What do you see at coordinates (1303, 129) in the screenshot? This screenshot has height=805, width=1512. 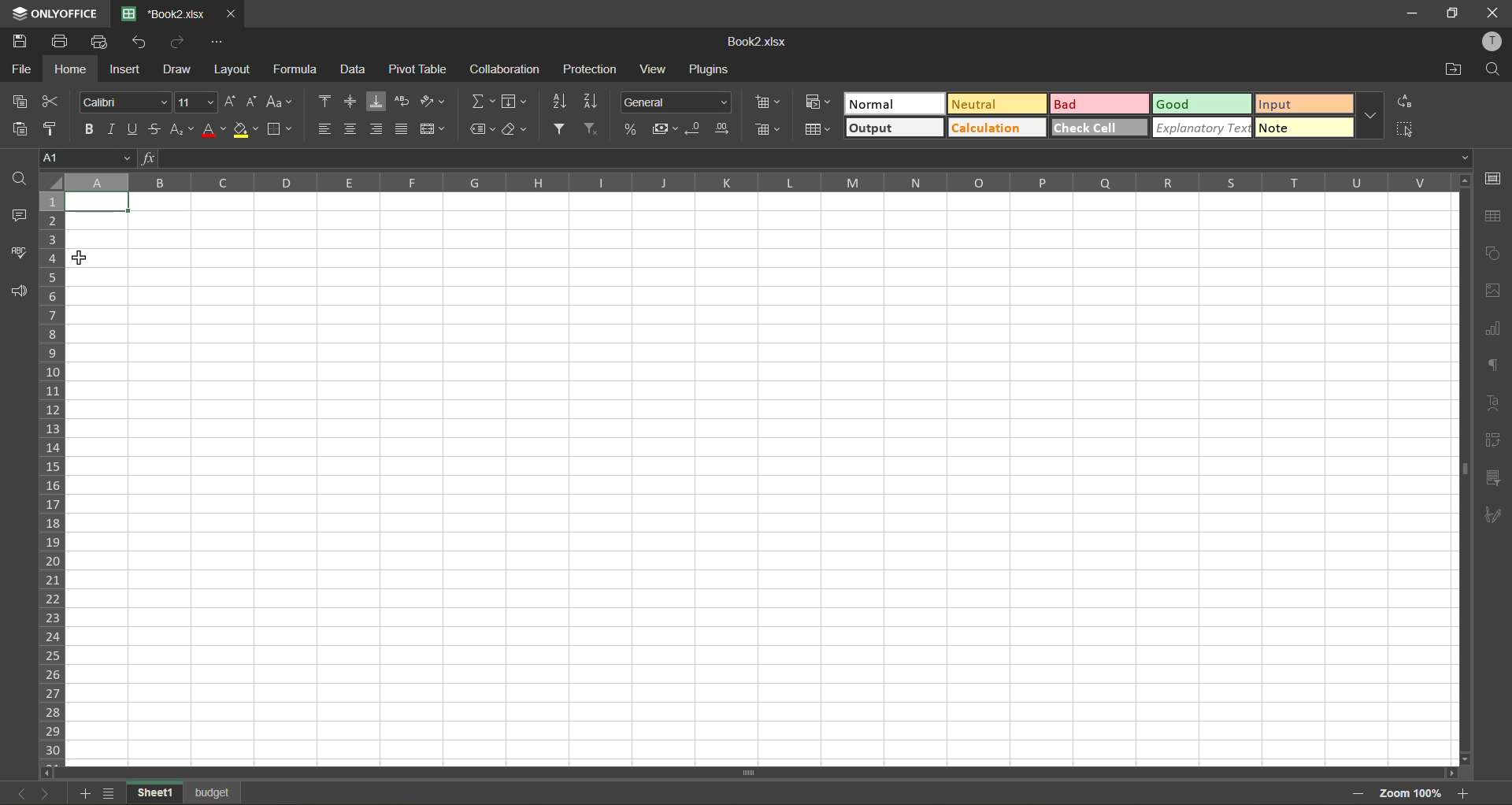 I see `note` at bounding box center [1303, 129].